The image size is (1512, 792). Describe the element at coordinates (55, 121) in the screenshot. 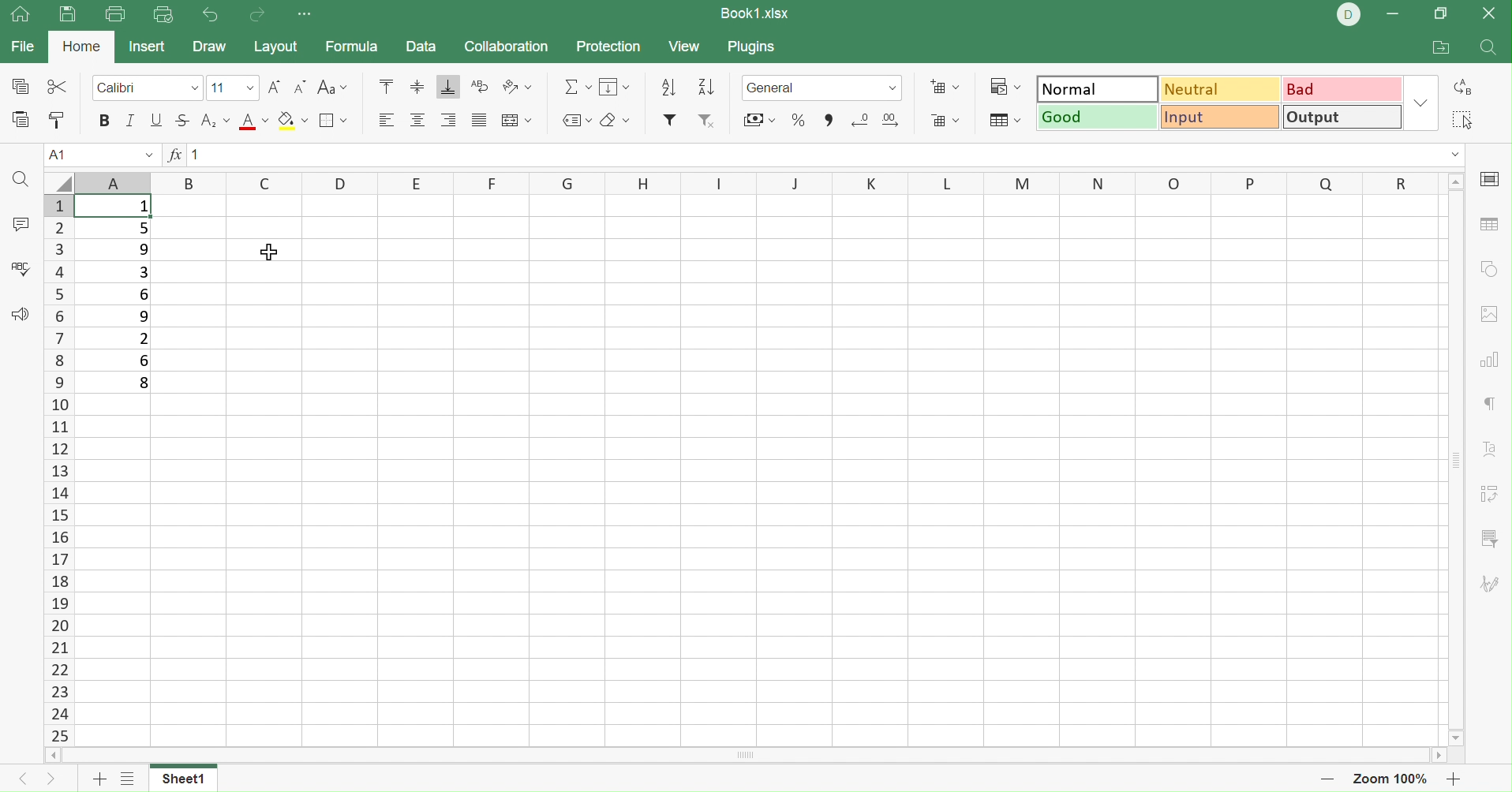

I see `Copy style` at that location.